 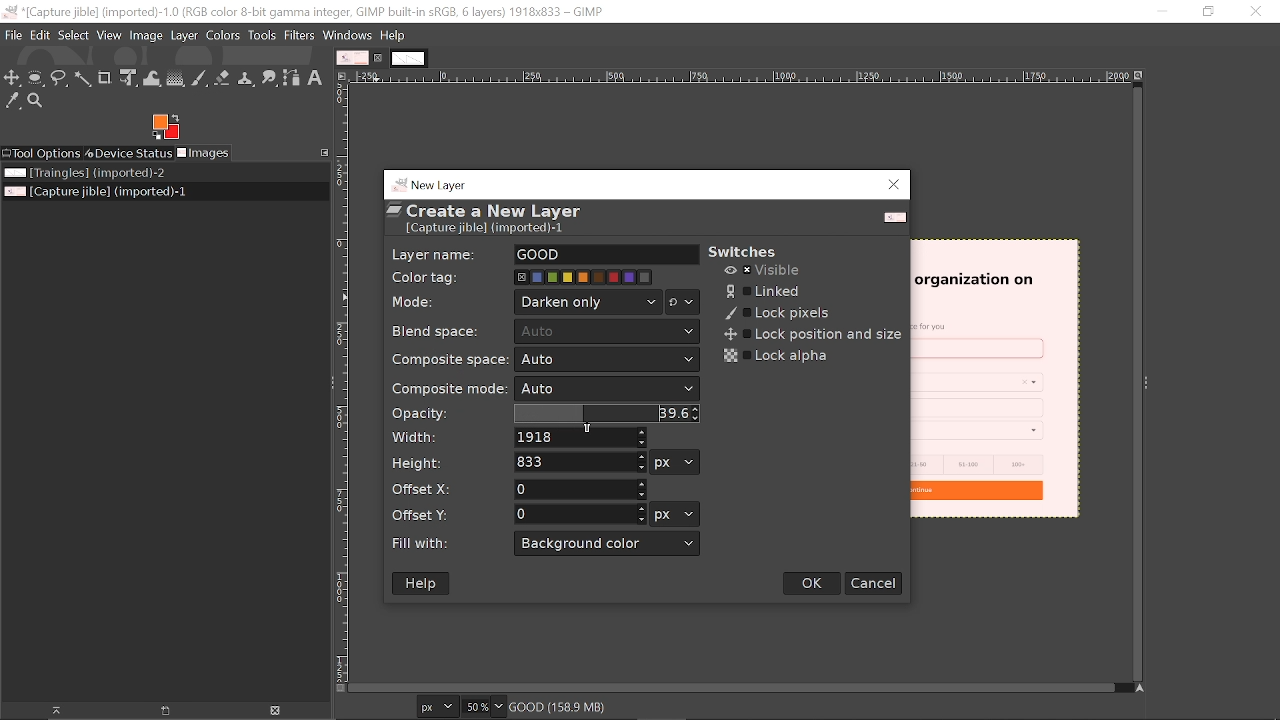 What do you see at coordinates (94, 192) in the screenshot?
I see `Current image file` at bounding box center [94, 192].